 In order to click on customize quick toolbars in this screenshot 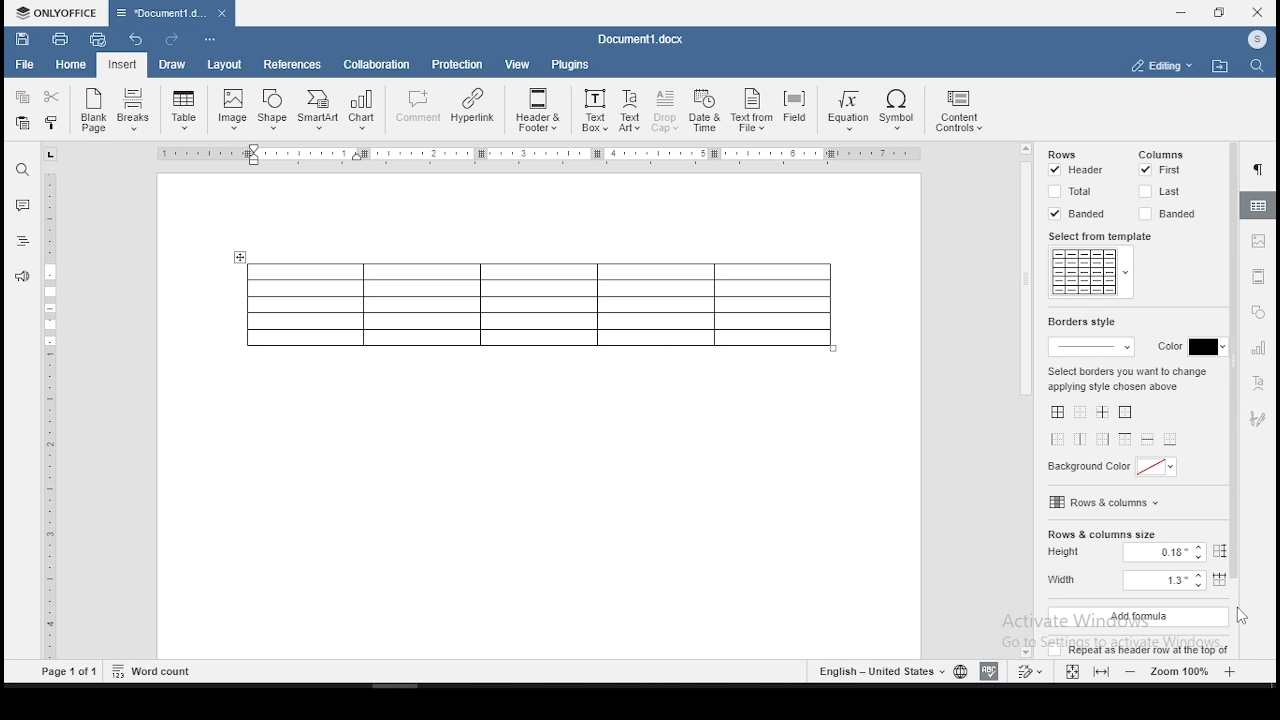, I will do `click(210, 41)`.